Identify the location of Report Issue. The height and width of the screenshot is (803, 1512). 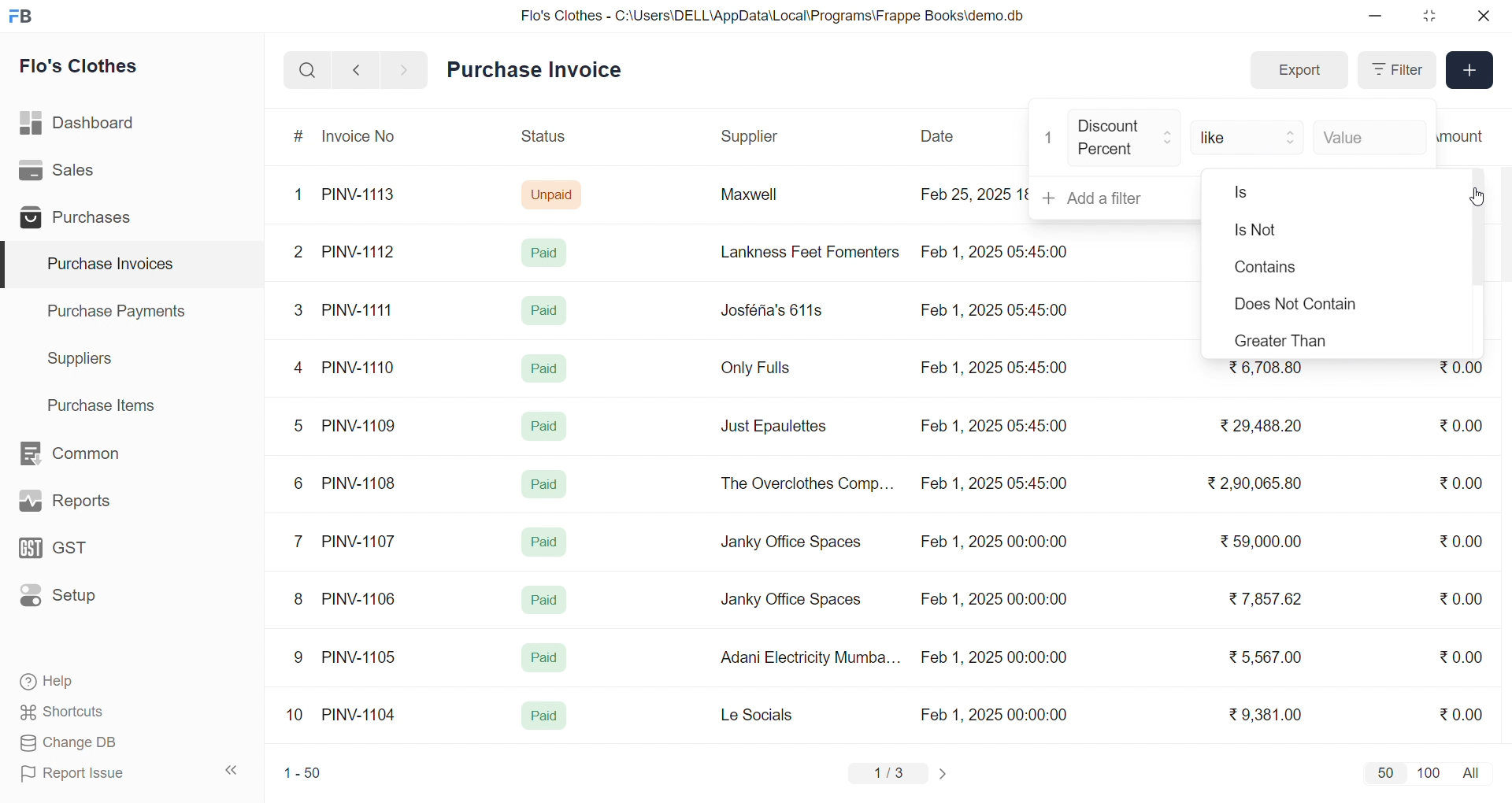
(98, 773).